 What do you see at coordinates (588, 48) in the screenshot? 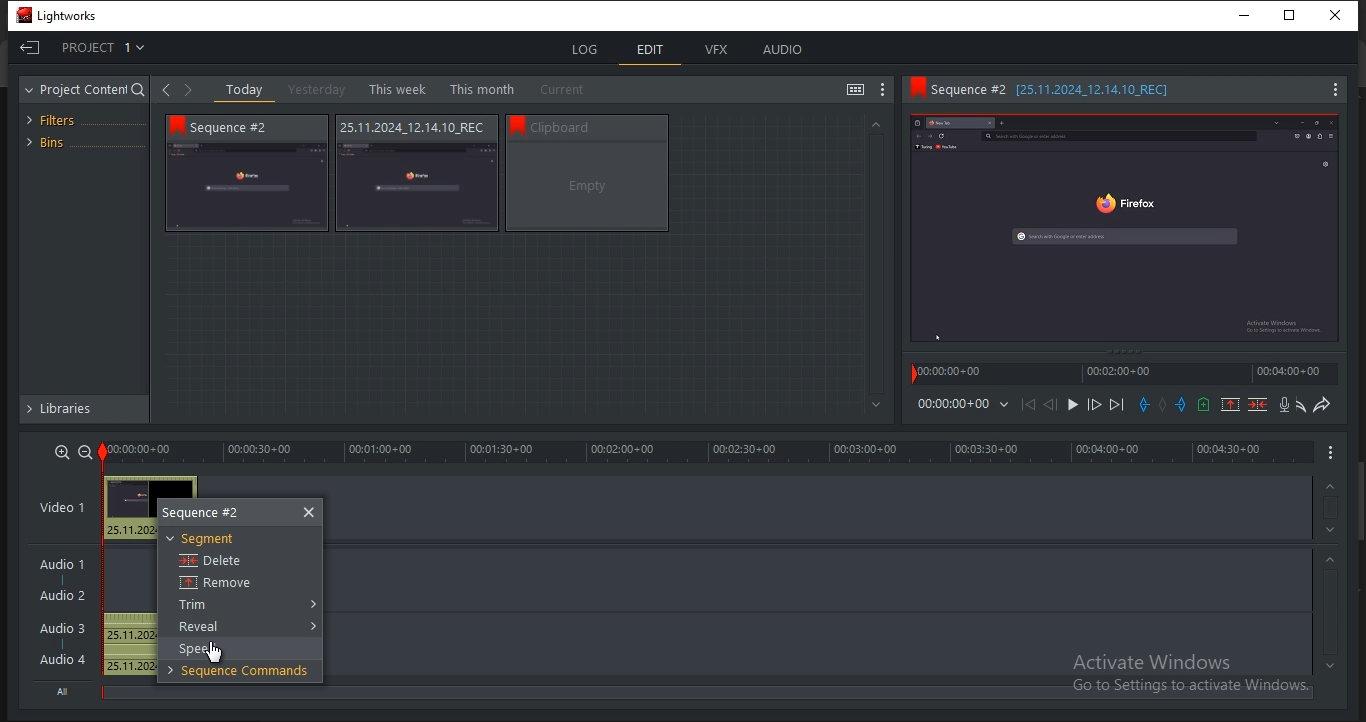
I see `log` at bounding box center [588, 48].